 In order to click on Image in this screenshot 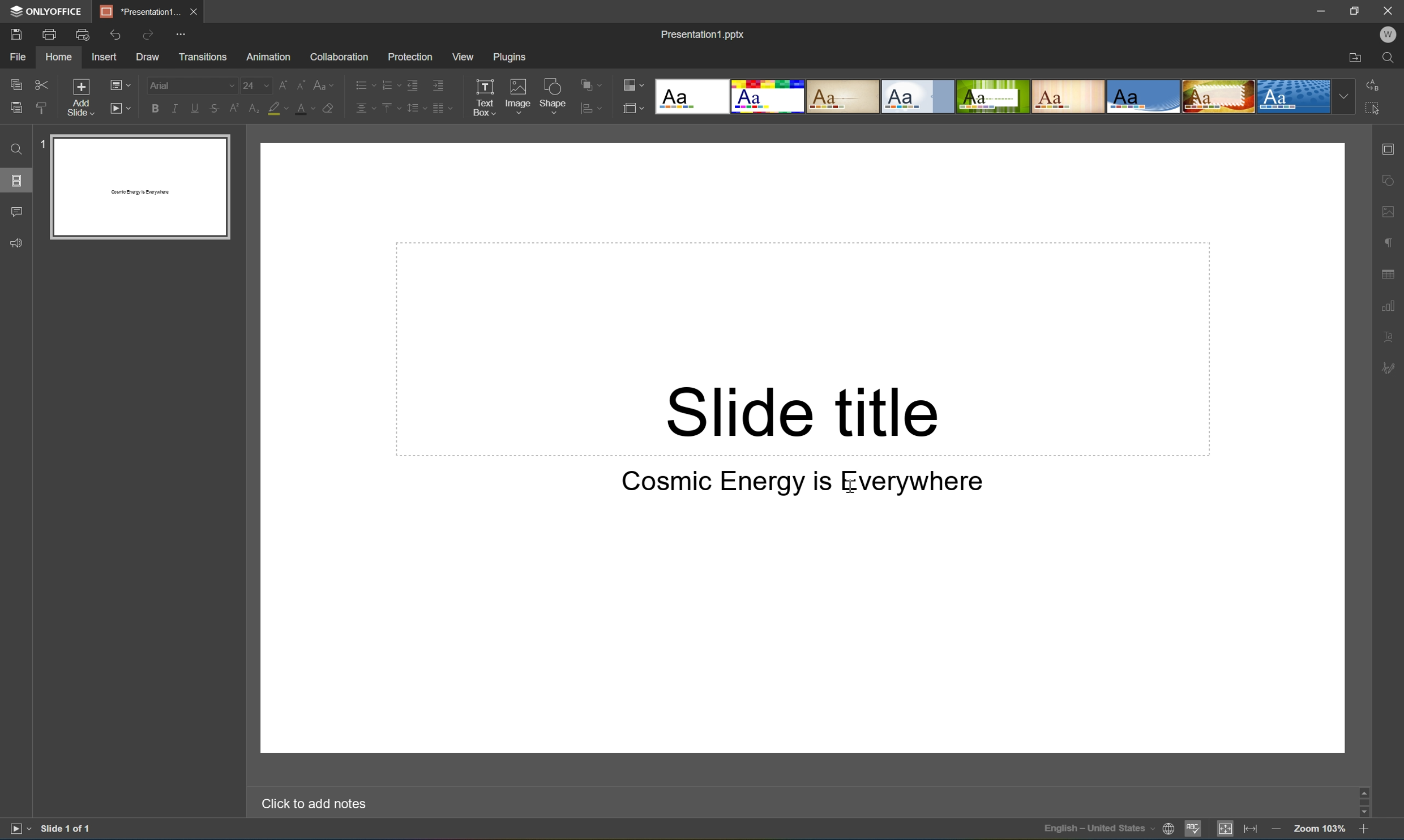, I will do `click(519, 95)`.